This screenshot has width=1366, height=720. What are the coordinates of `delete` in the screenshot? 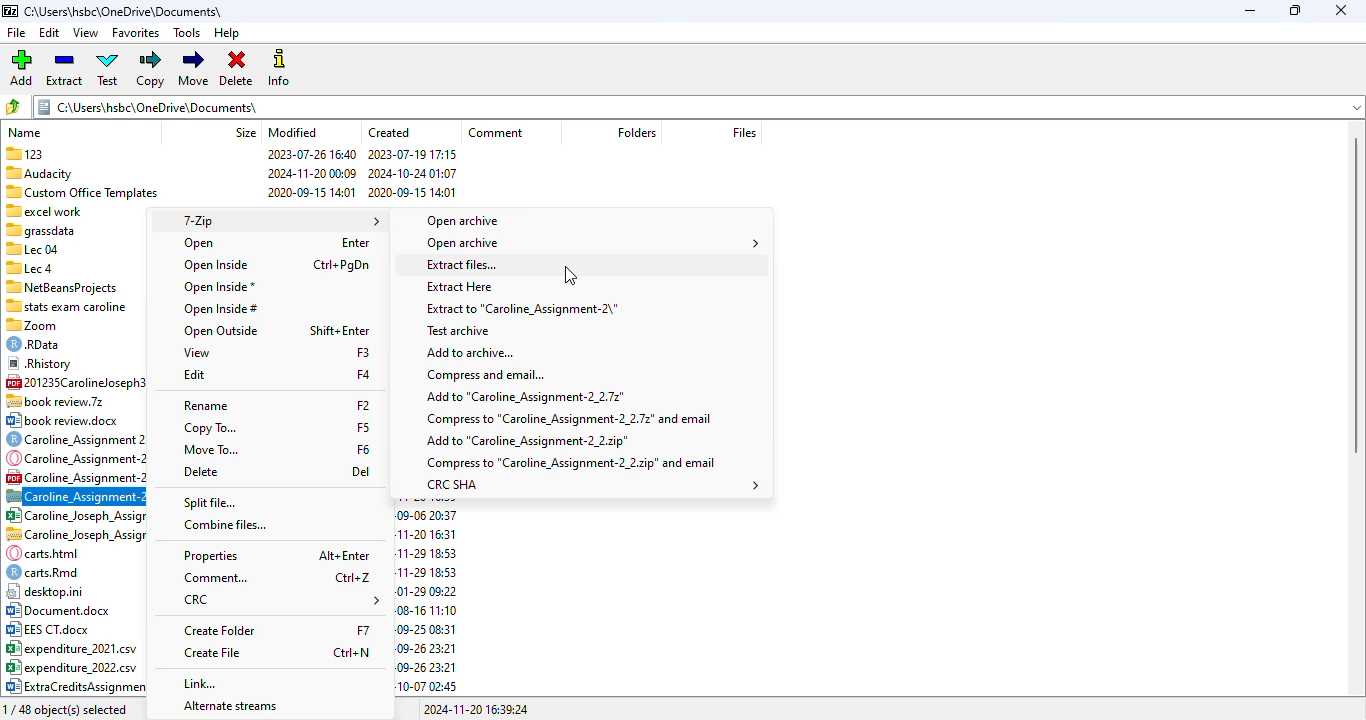 It's located at (201, 472).